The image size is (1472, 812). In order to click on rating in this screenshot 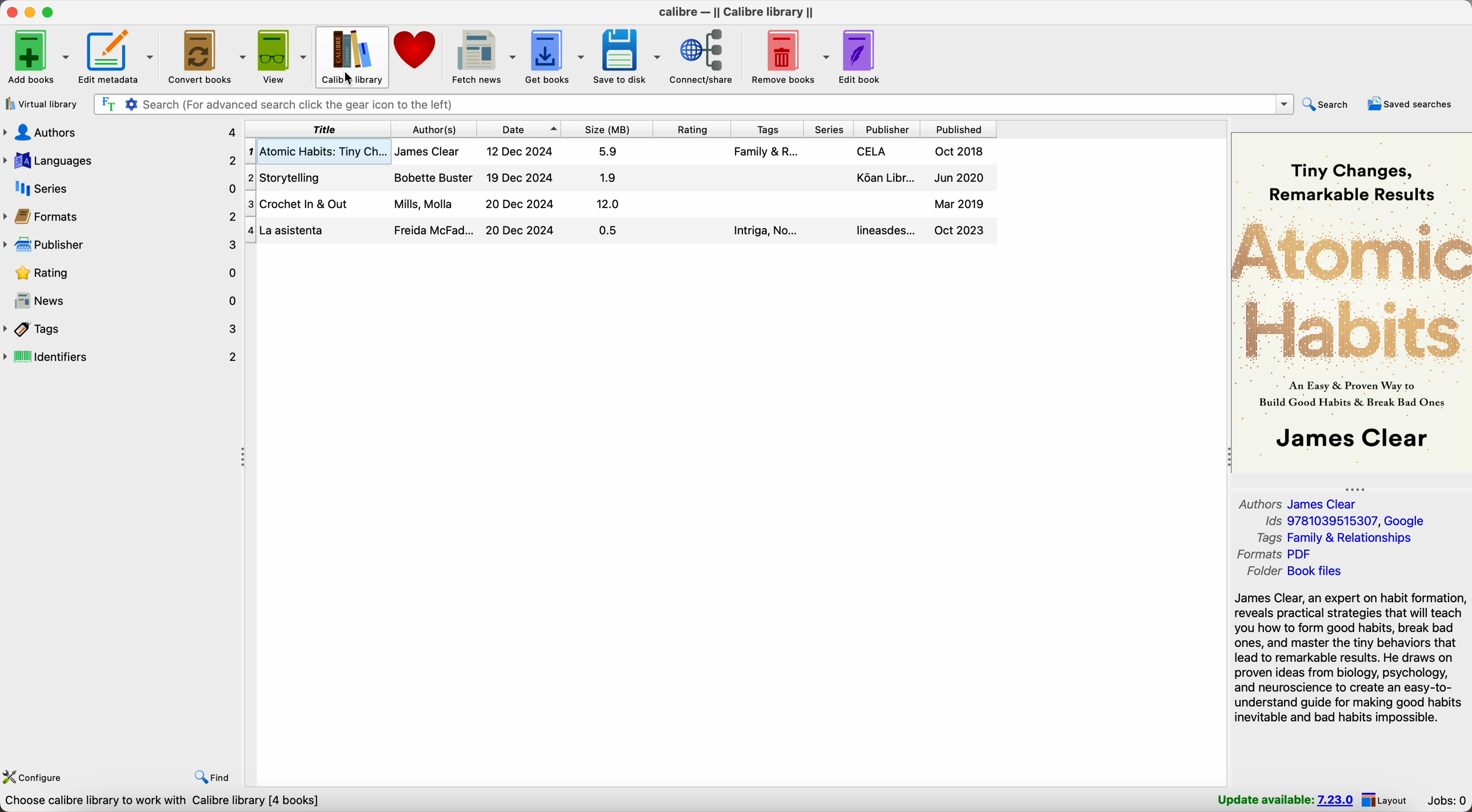, I will do `click(692, 128)`.